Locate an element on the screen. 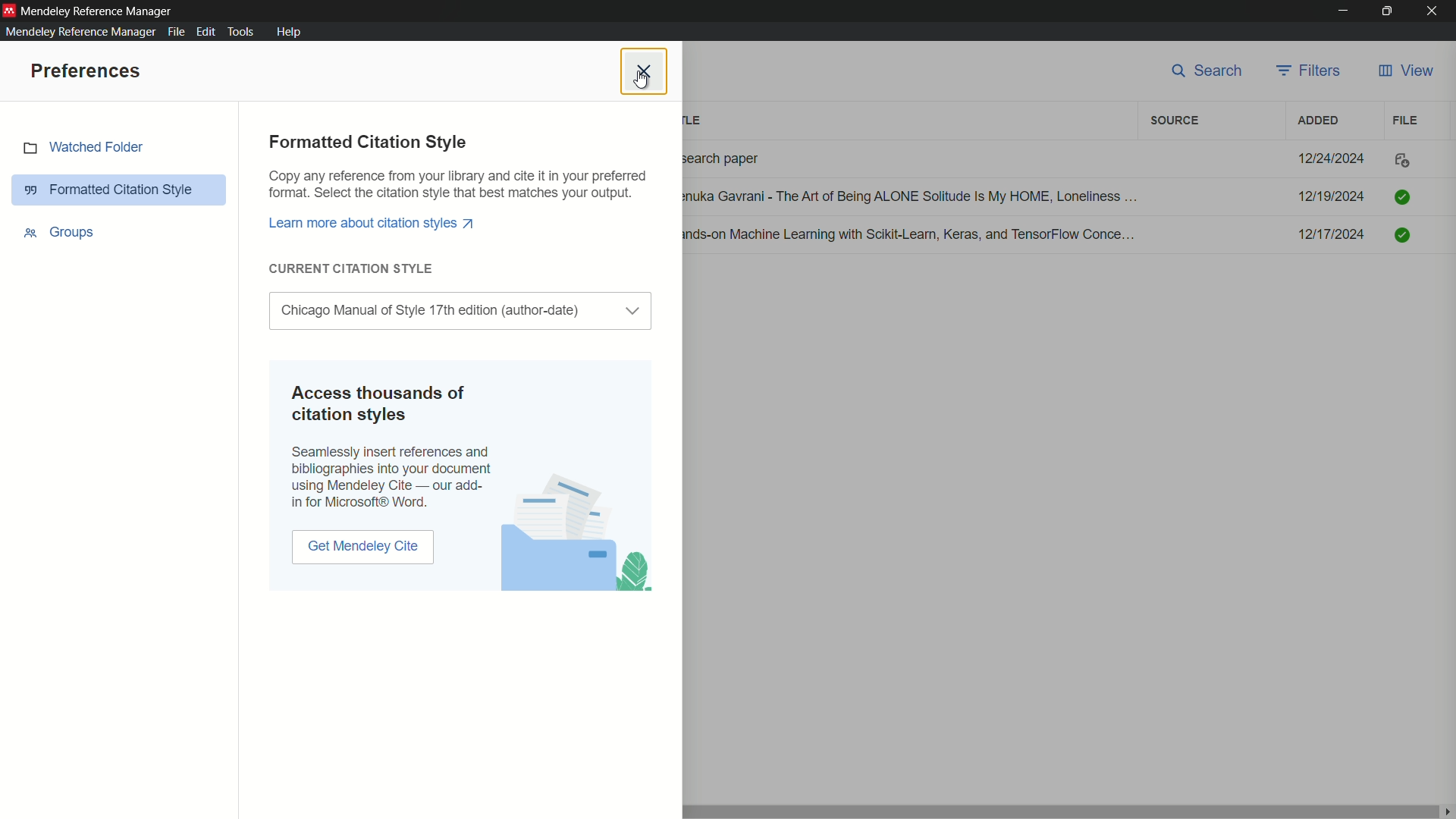  search is located at coordinates (1209, 72).